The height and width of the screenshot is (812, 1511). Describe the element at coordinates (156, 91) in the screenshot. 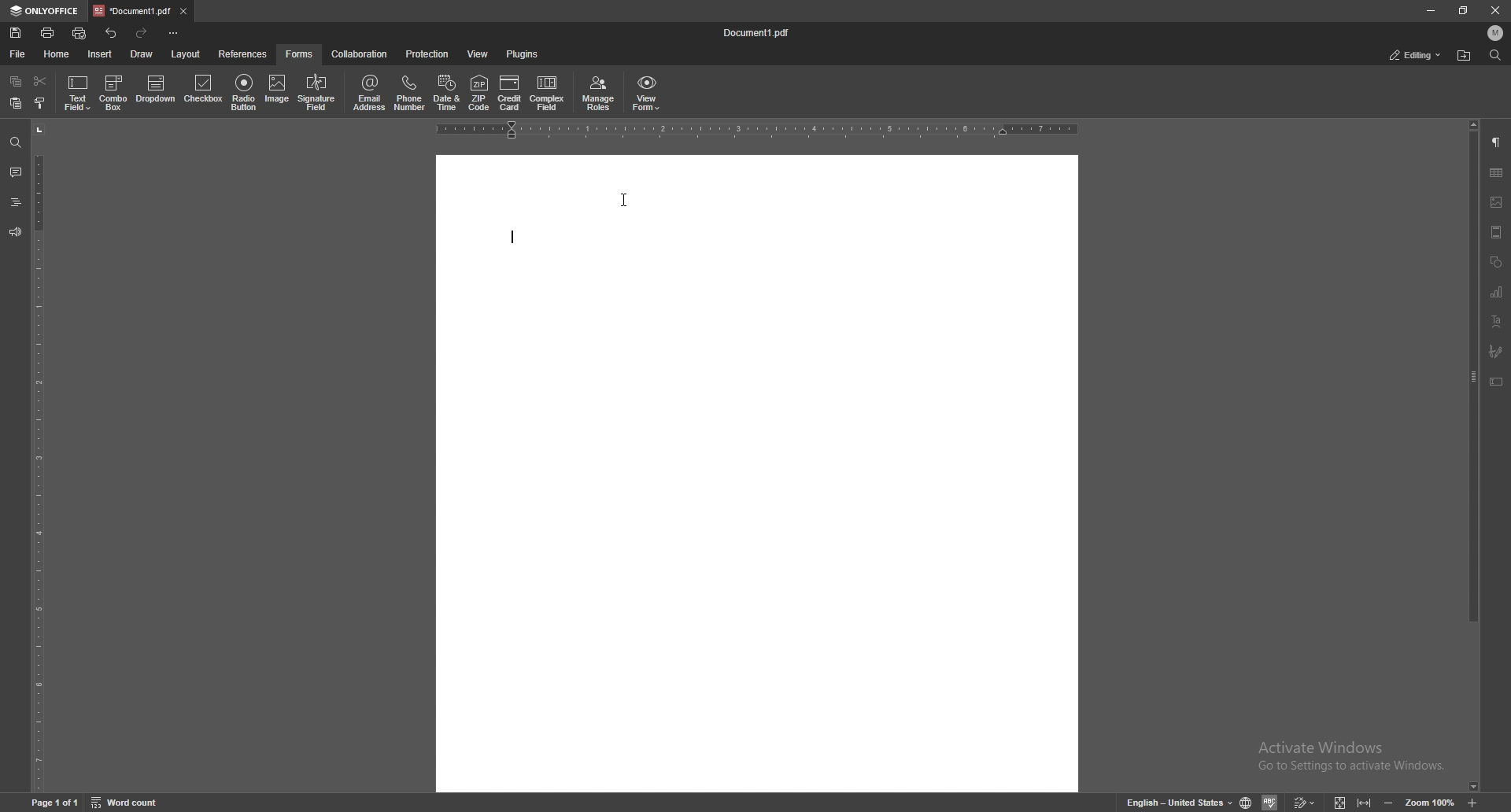

I see `dropdown` at that location.